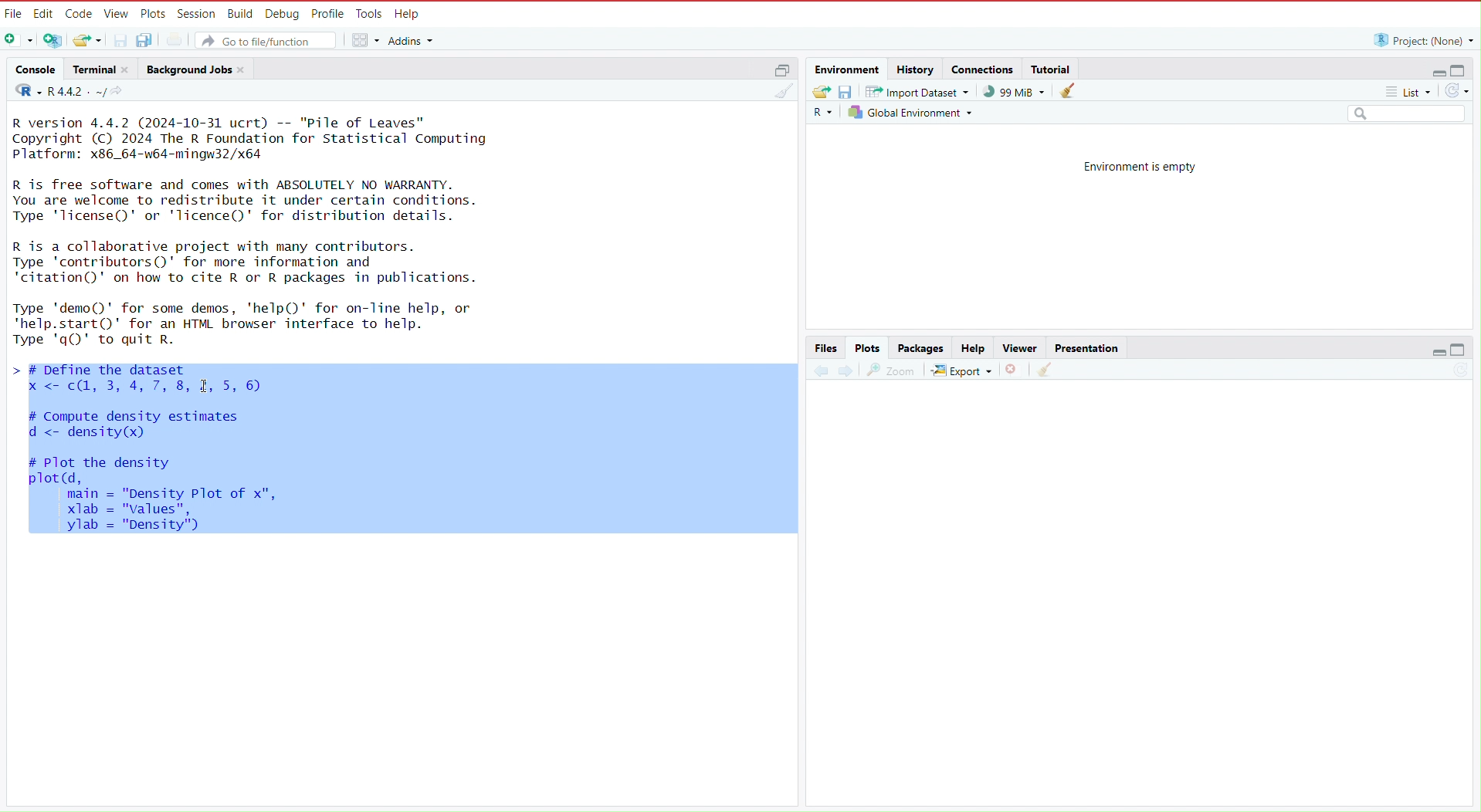 The height and width of the screenshot is (812, 1481). Describe the element at coordinates (10, 370) in the screenshot. I see `prompt cursor` at that location.